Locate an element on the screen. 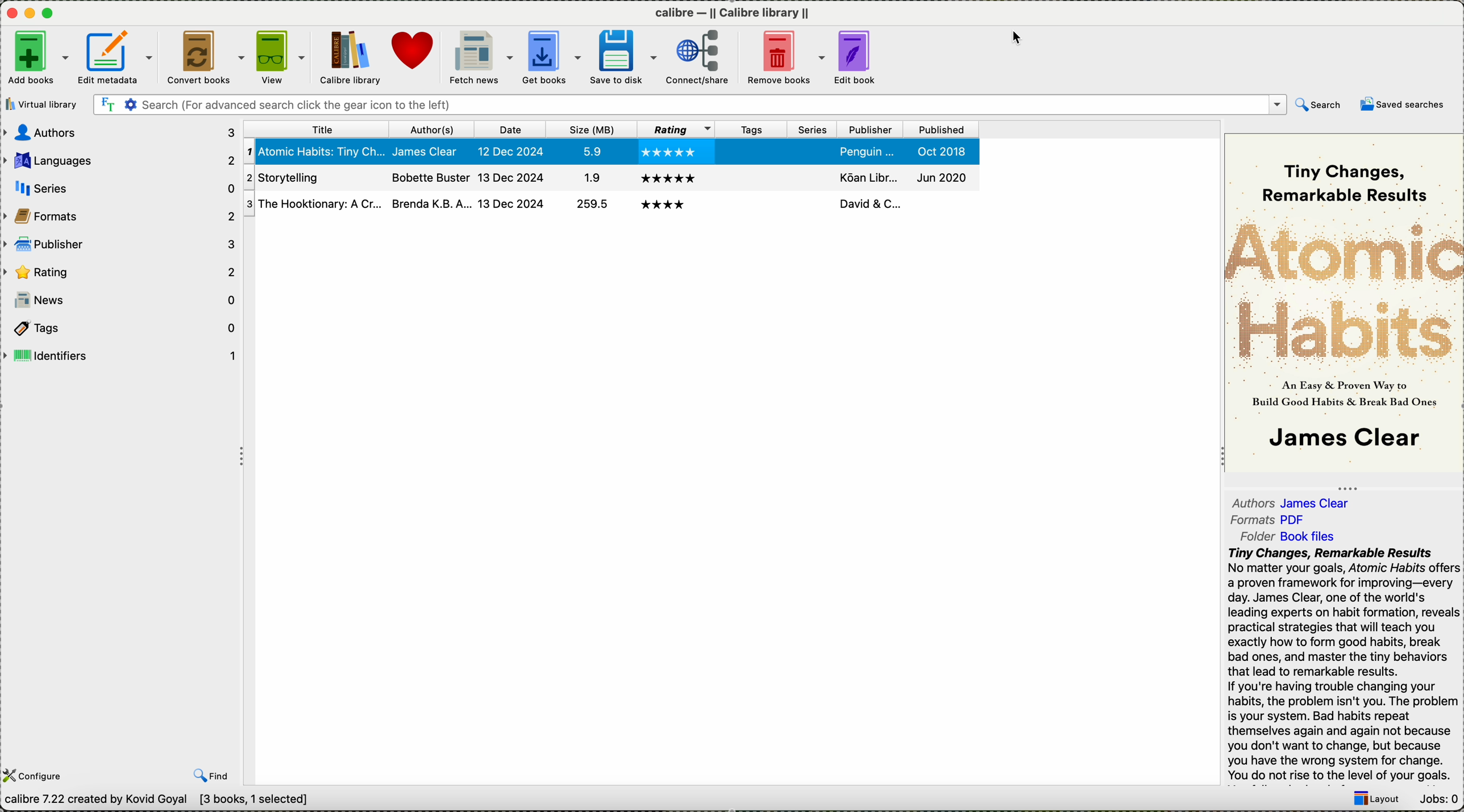 The image size is (1464, 812). size is located at coordinates (592, 129).